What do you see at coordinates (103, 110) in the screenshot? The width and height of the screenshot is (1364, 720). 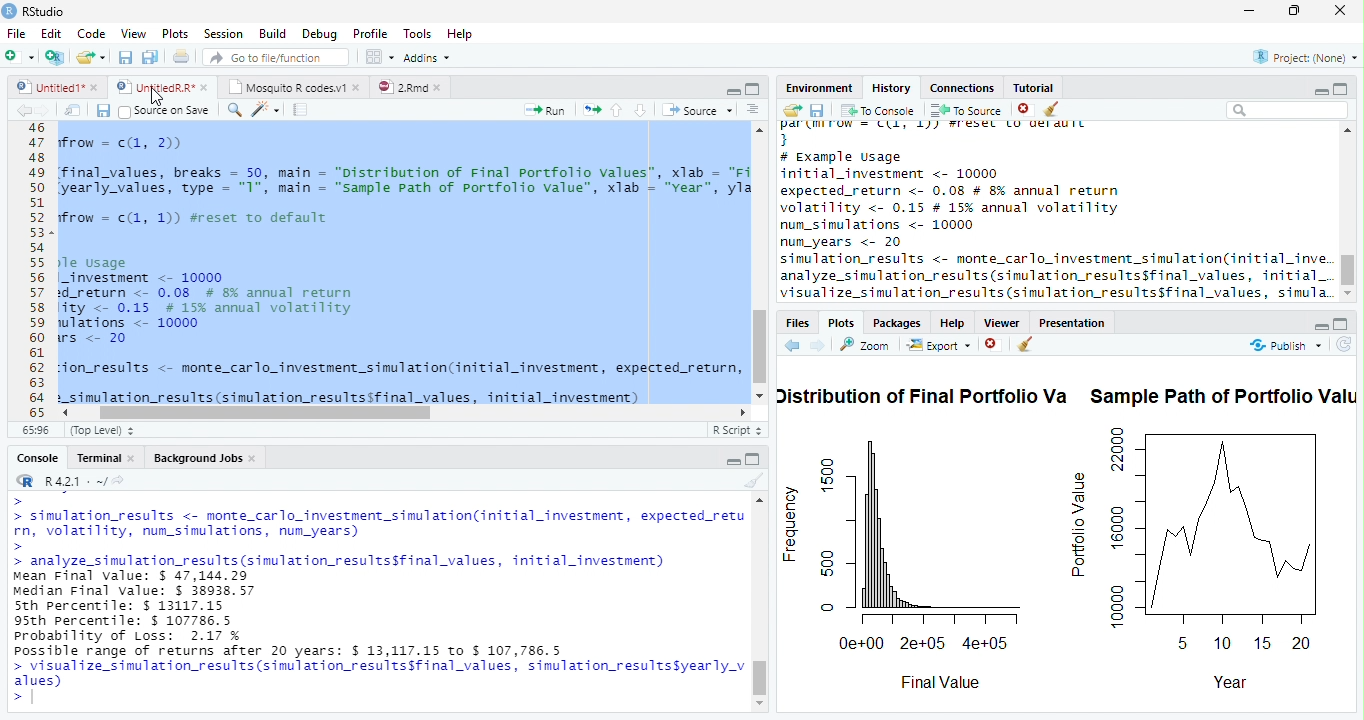 I see `Save` at bounding box center [103, 110].